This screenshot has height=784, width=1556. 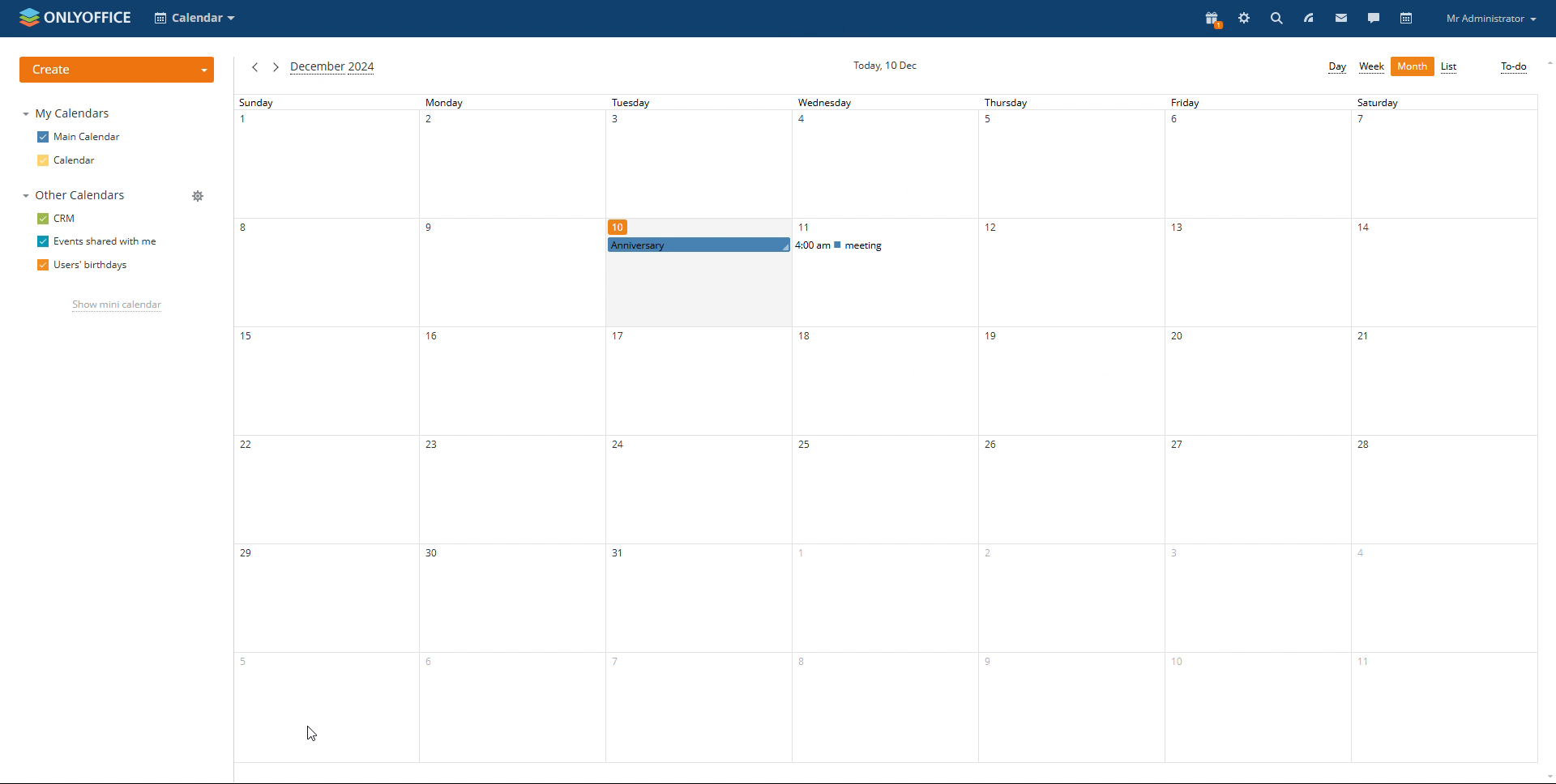 I want to click on talk, so click(x=1372, y=19).